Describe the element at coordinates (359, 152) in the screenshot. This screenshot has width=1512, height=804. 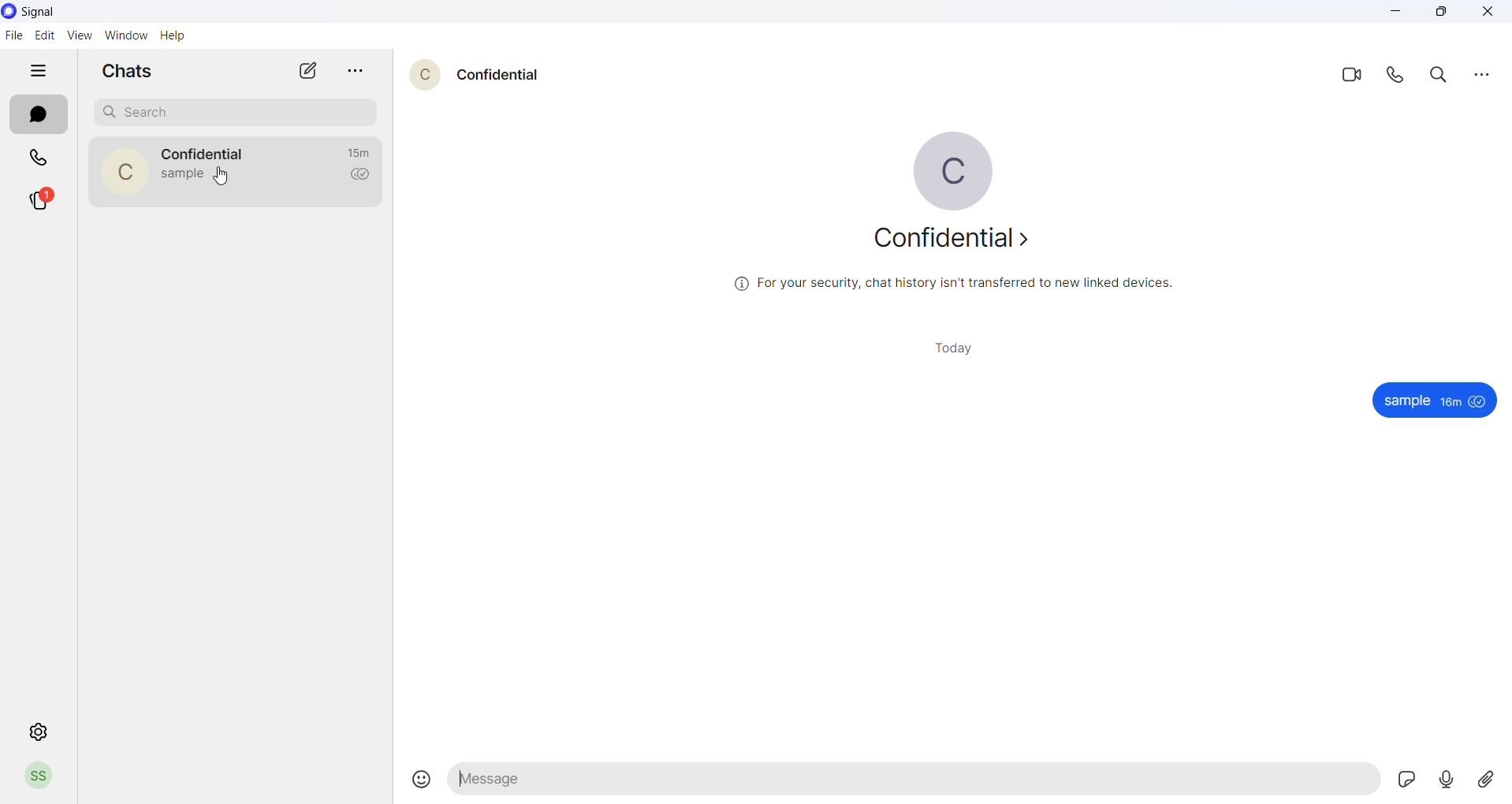
I see `15m` at that location.